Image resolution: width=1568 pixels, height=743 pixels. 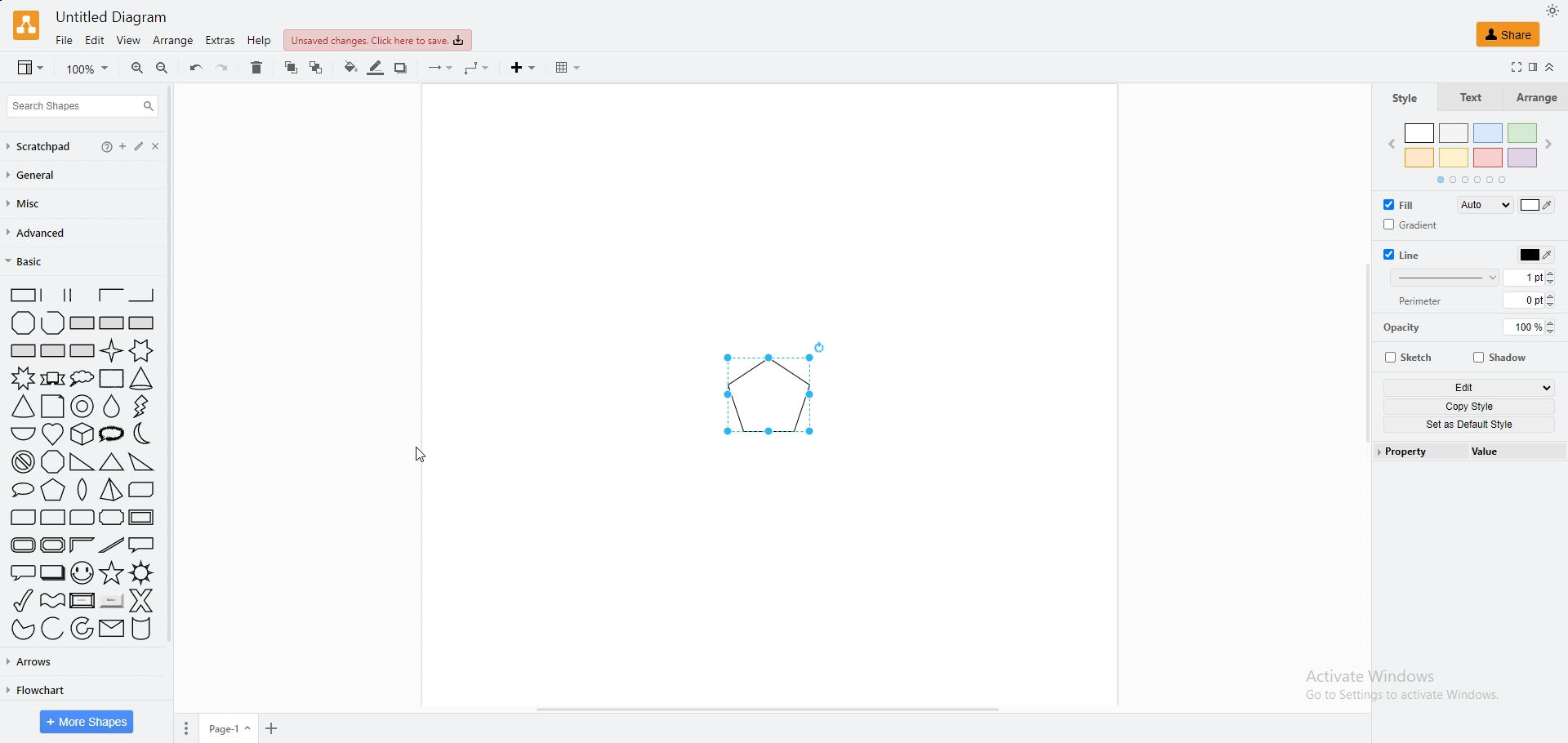 What do you see at coordinates (1516, 451) in the screenshot?
I see `value` at bounding box center [1516, 451].